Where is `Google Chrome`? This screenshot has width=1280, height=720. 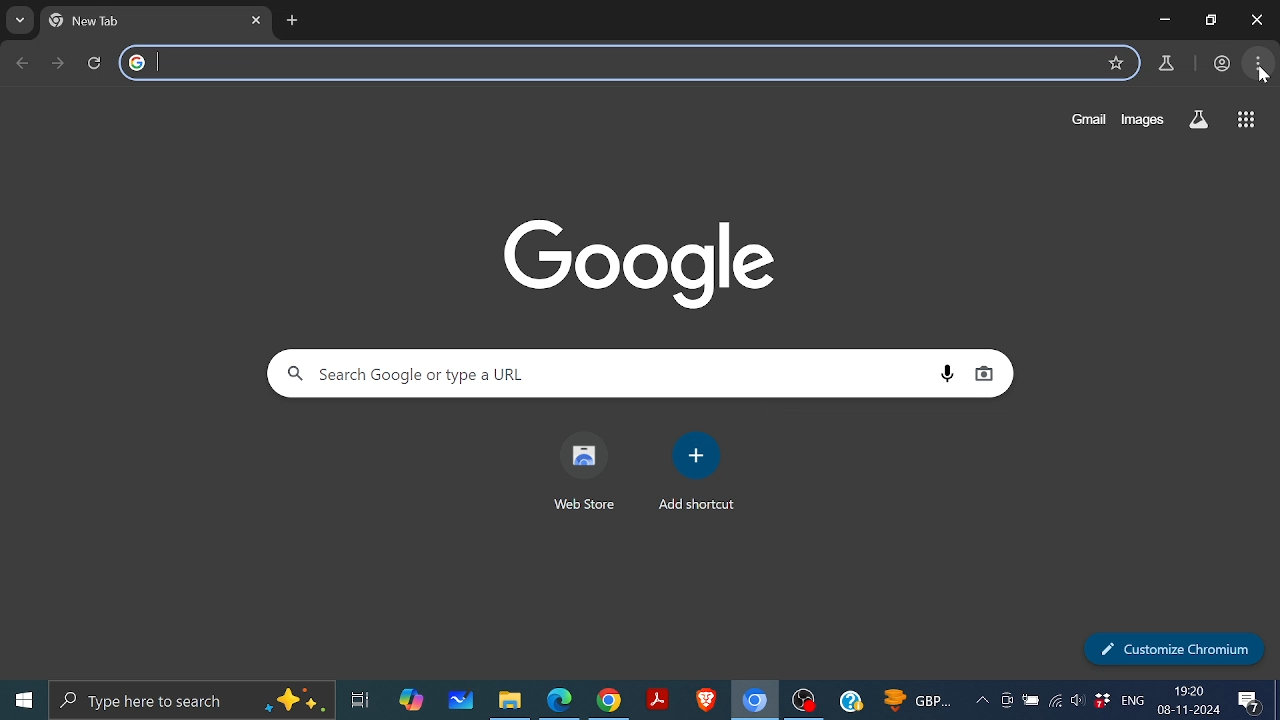
Google Chrome is located at coordinates (607, 700).